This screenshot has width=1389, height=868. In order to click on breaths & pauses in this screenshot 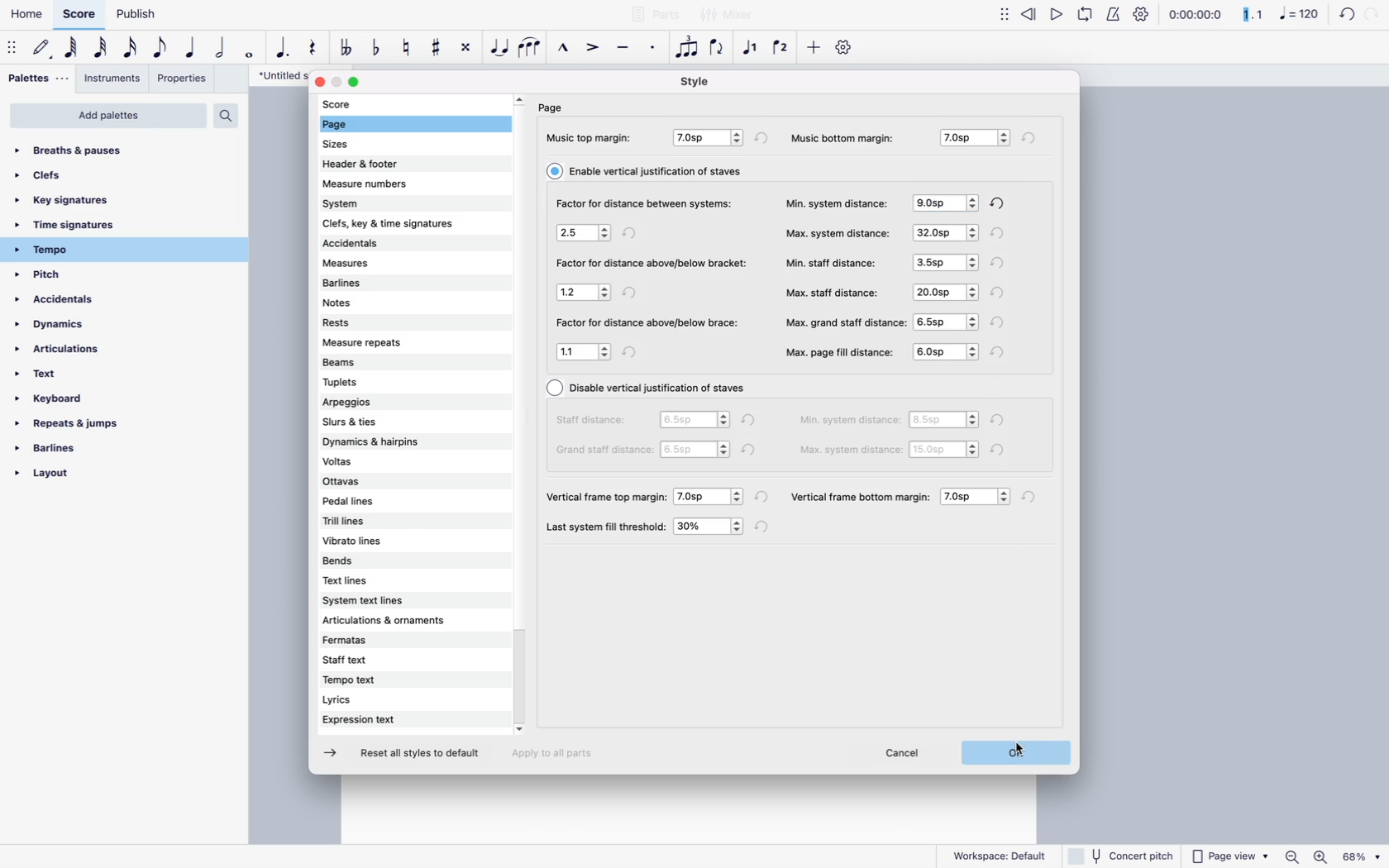, I will do `click(83, 147)`.